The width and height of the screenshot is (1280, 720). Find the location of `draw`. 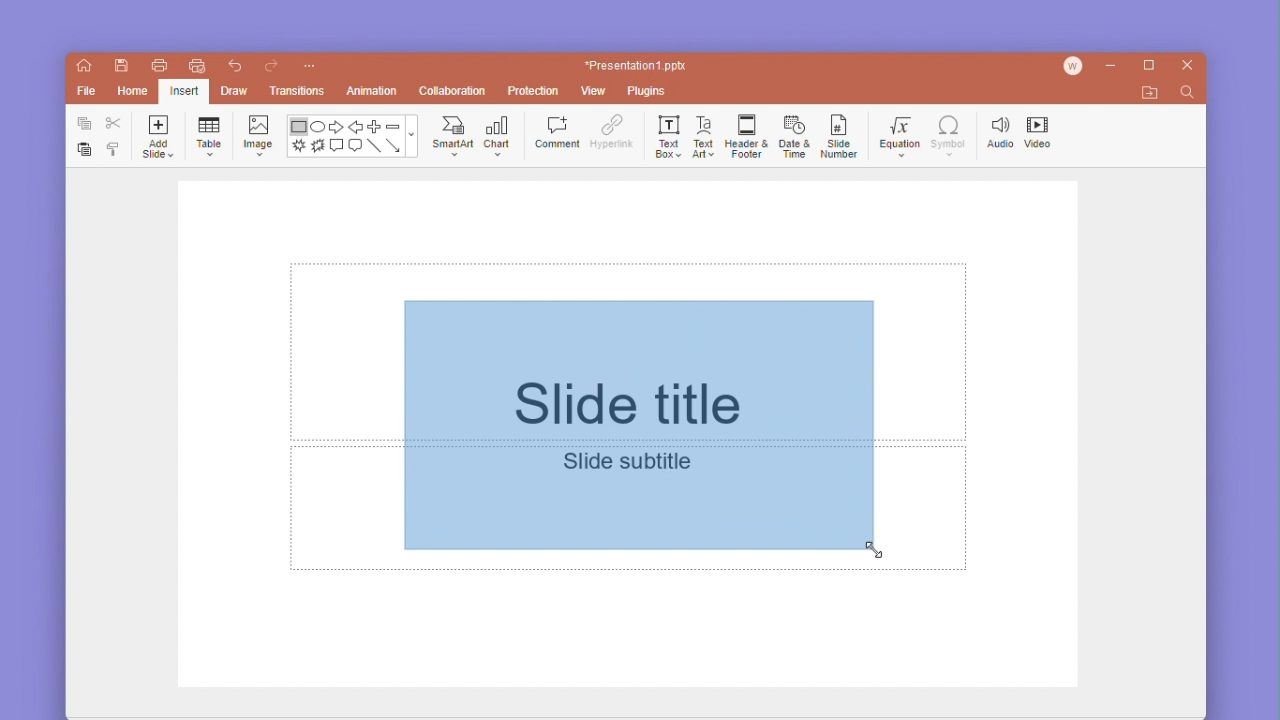

draw is located at coordinates (235, 89).